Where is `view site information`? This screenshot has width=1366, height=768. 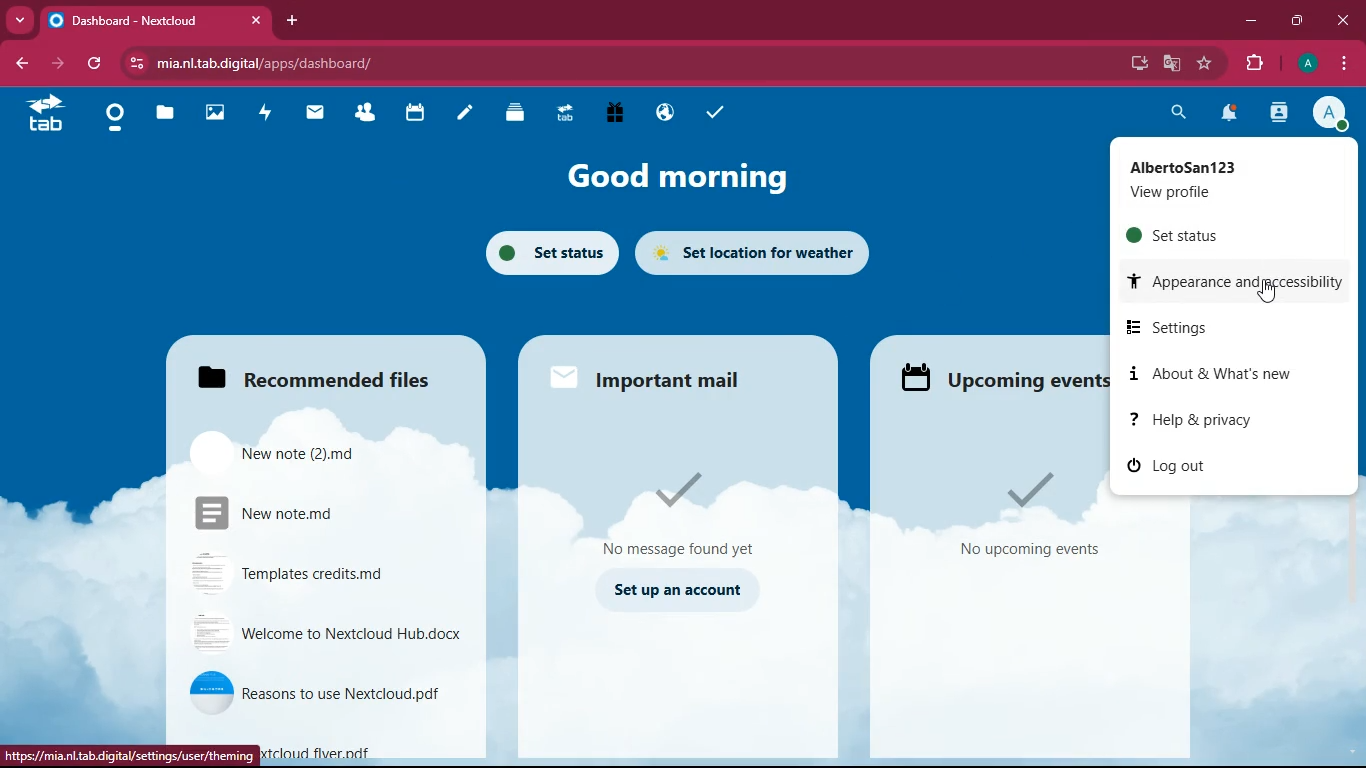 view site information is located at coordinates (133, 63).